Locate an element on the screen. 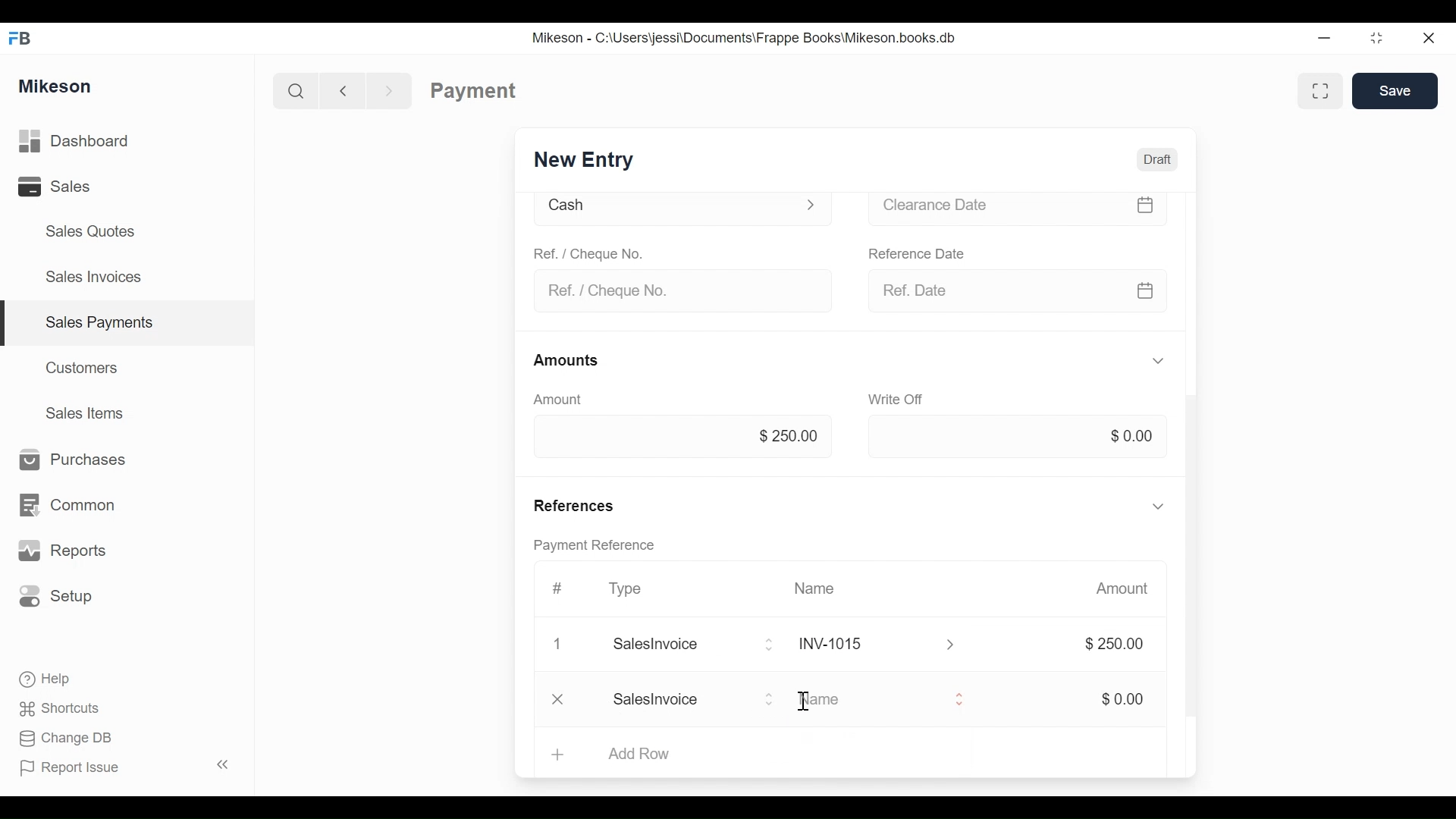 This screenshot has height=819, width=1456. Common is located at coordinates (75, 497).